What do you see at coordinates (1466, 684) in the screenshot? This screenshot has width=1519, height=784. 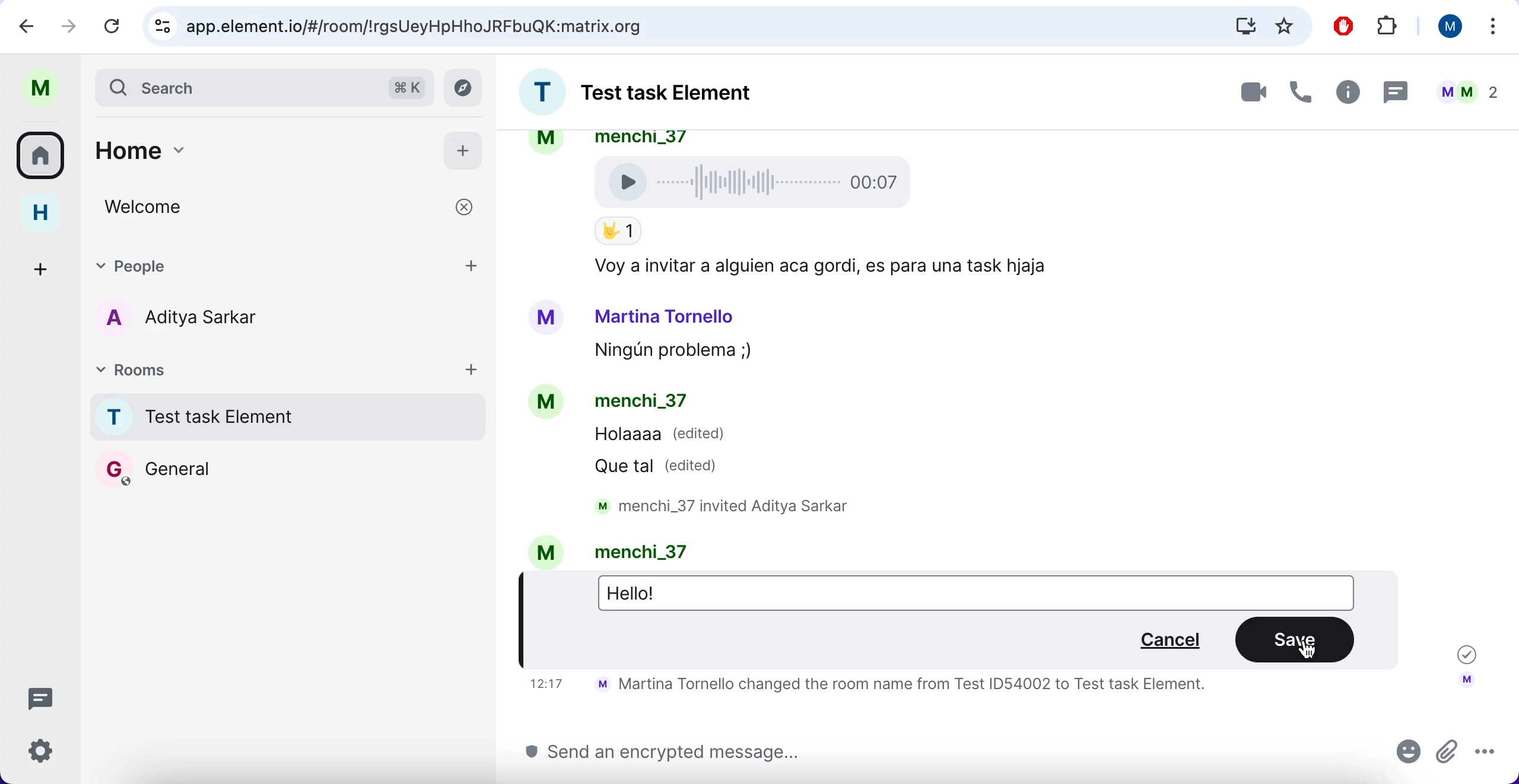 I see `account` at bounding box center [1466, 684].